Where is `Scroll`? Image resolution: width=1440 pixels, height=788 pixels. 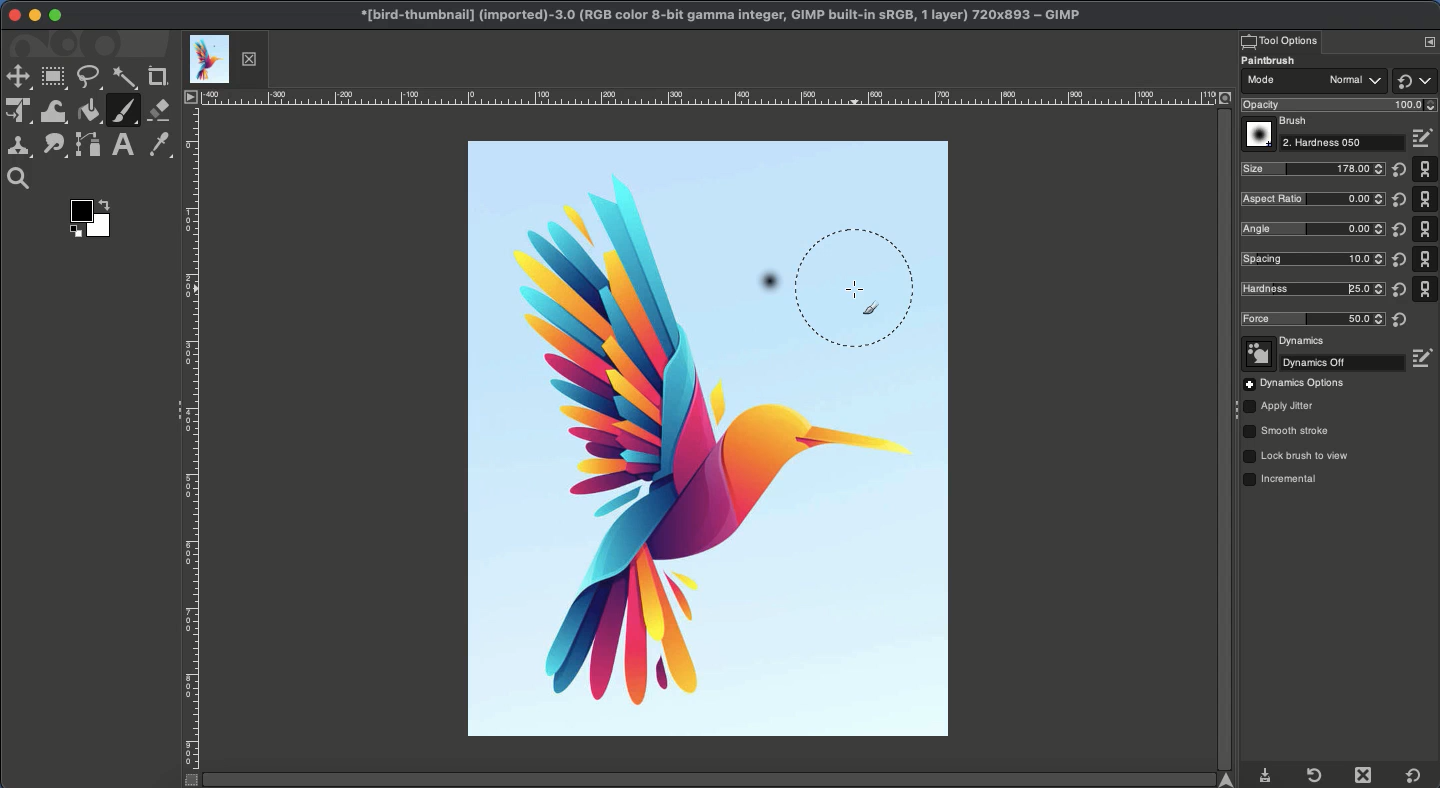
Scroll is located at coordinates (1222, 439).